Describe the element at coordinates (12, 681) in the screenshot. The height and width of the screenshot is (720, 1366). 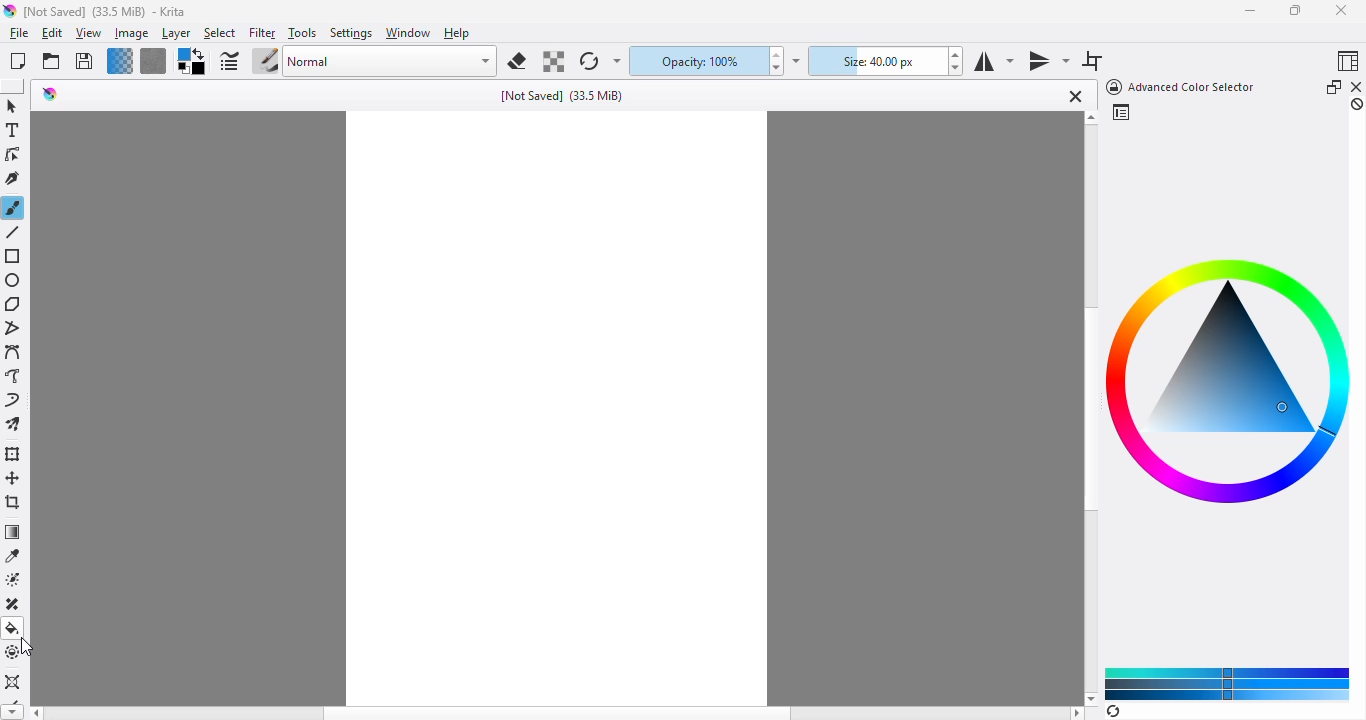
I see `assistant tool` at that location.